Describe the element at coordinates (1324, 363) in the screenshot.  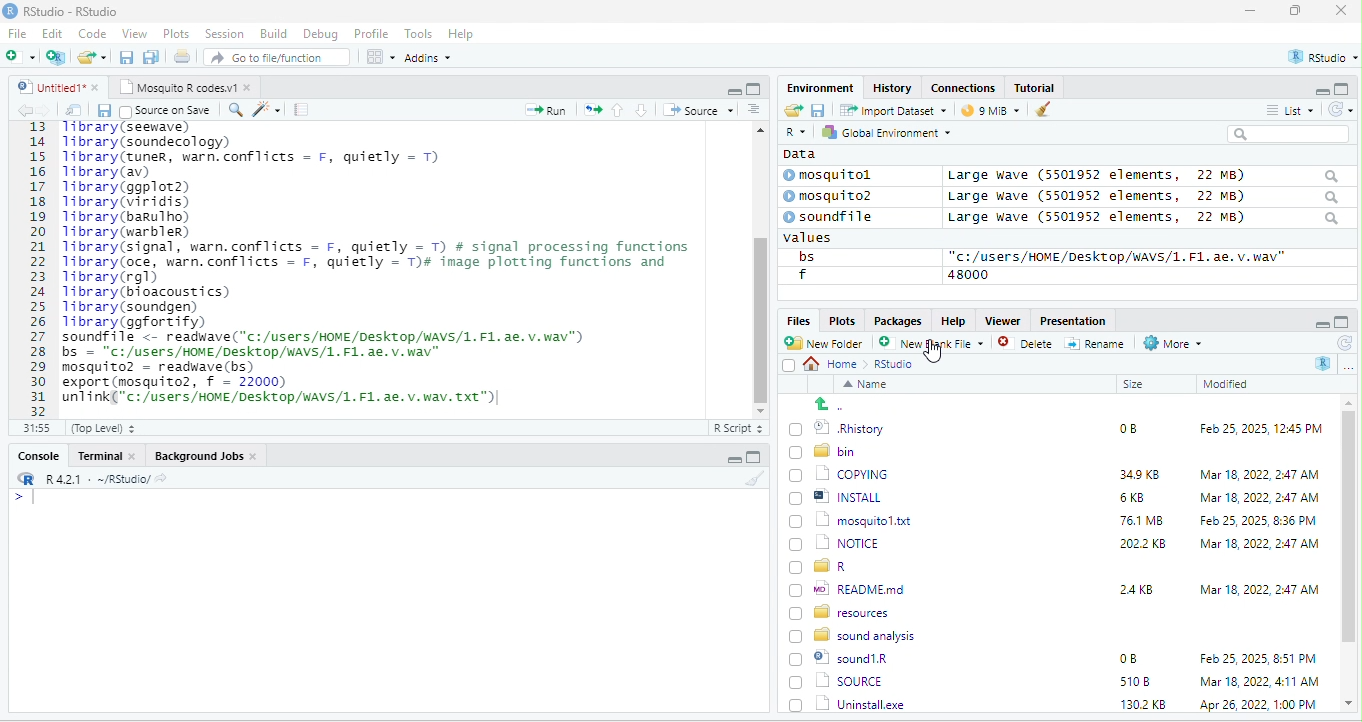
I see `R` at that location.